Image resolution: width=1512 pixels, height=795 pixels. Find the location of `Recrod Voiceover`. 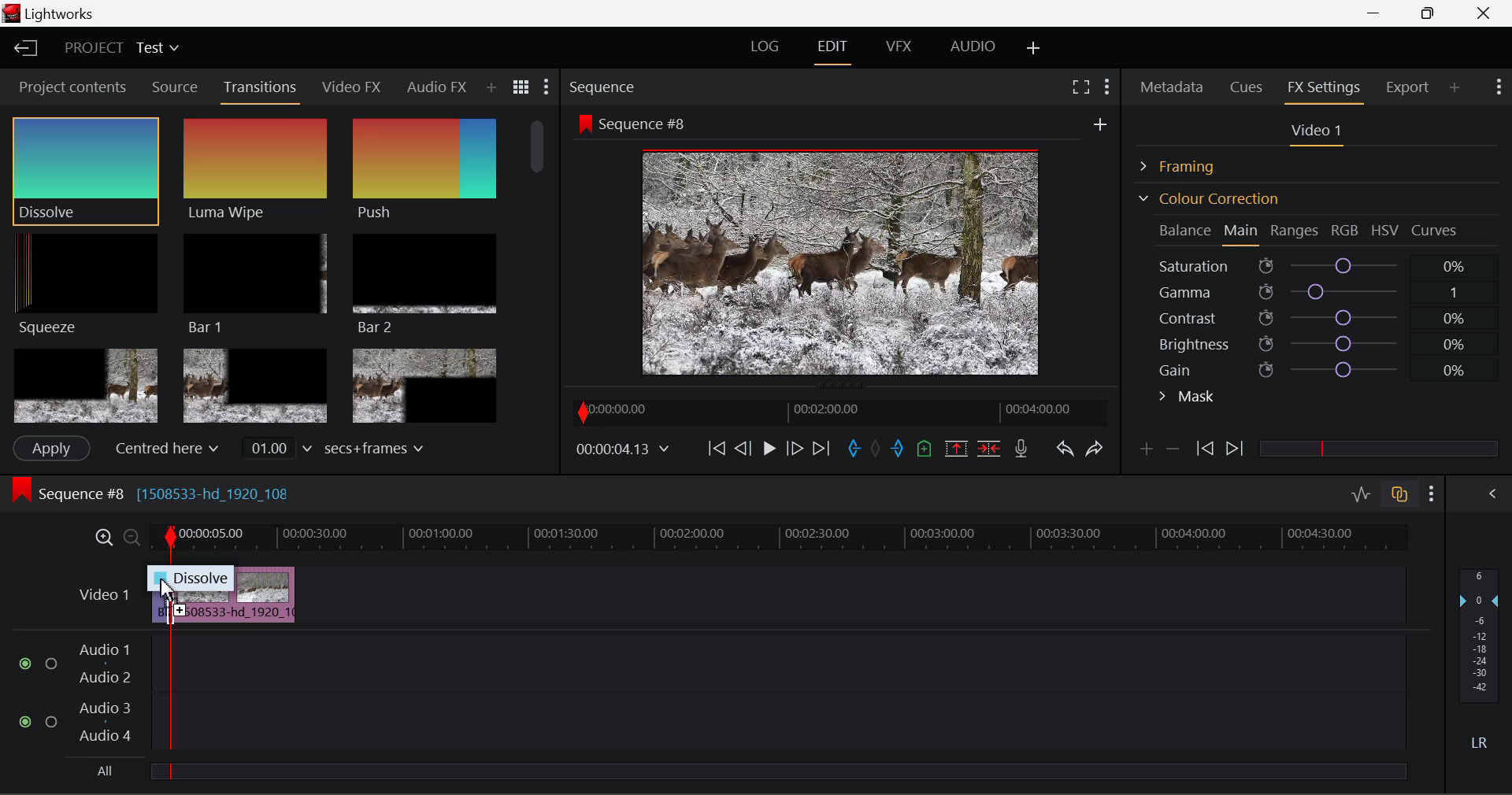

Recrod Voiceover is located at coordinates (1021, 448).